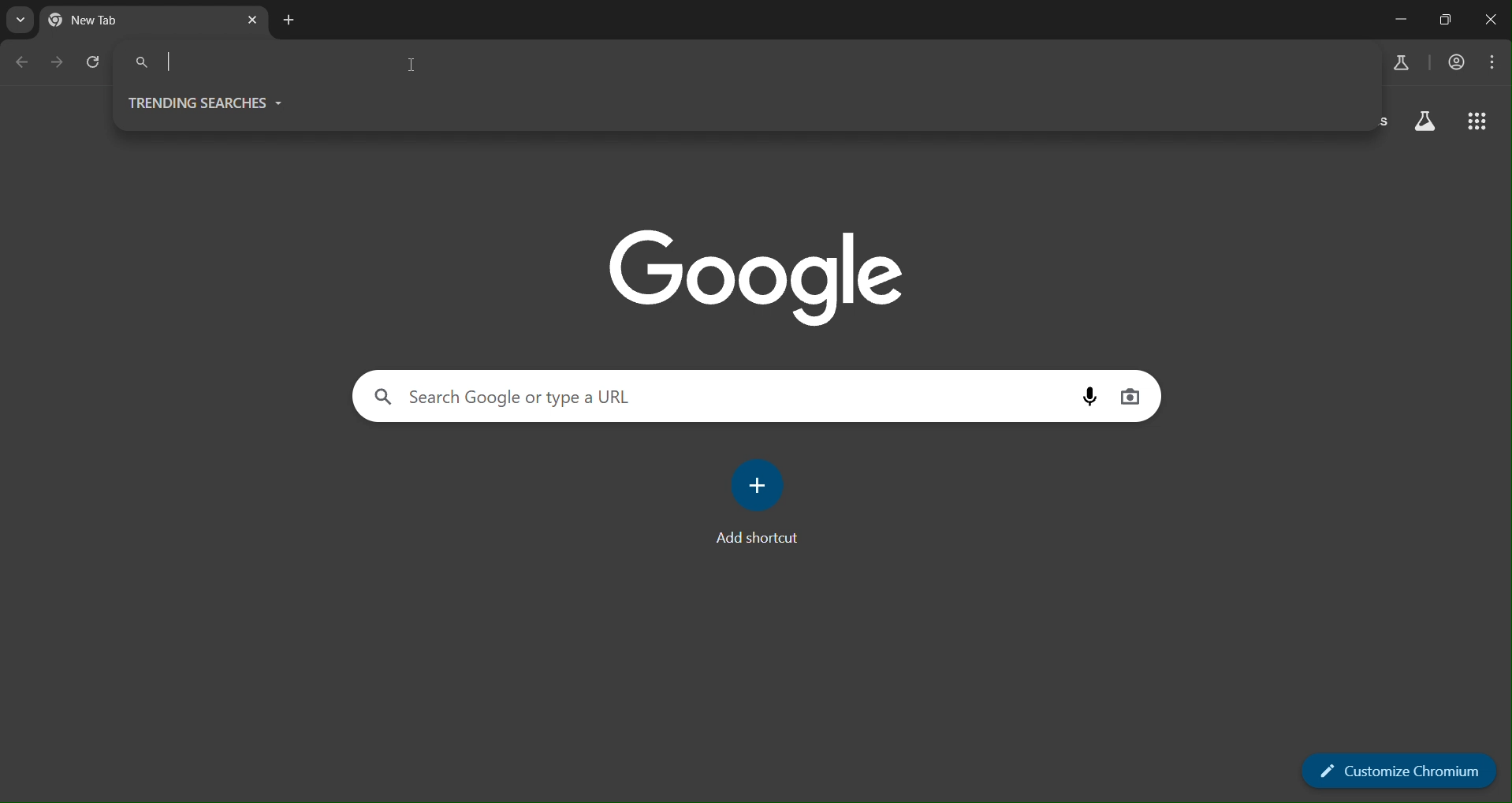 The height and width of the screenshot is (803, 1512). I want to click on close, so click(1492, 21).